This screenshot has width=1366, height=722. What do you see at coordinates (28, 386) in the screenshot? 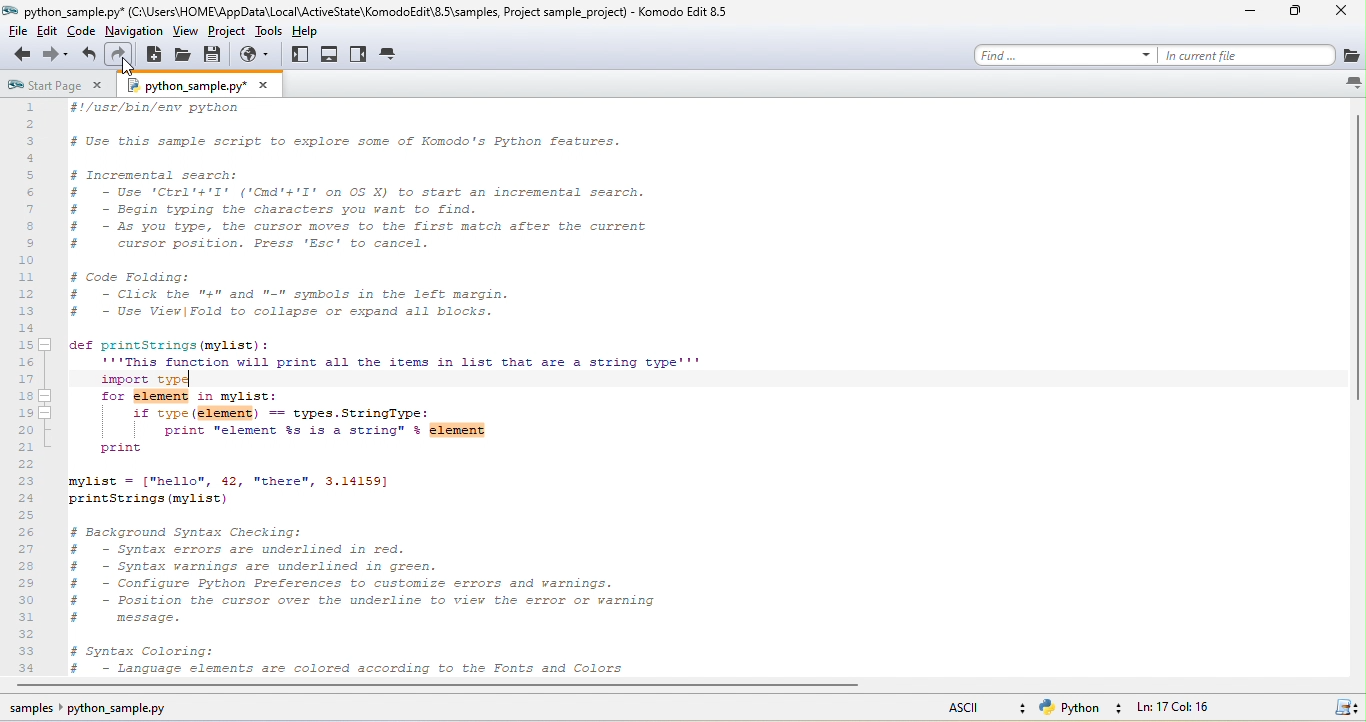
I see `number list` at bounding box center [28, 386].